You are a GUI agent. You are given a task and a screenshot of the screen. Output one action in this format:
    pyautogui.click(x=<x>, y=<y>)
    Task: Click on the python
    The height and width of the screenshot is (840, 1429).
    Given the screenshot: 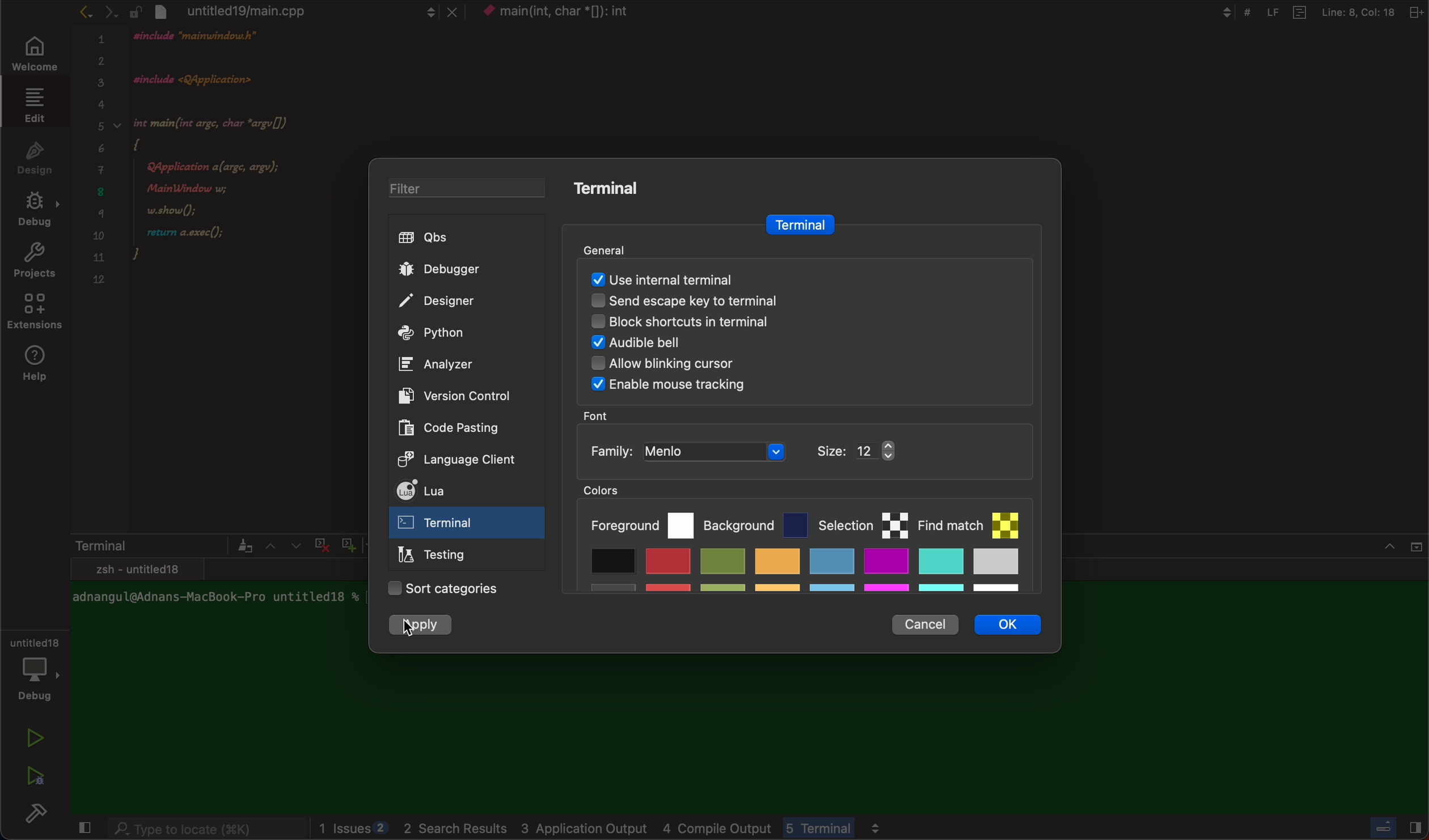 What is the action you would take?
    pyautogui.click(x=456, y=334)
    